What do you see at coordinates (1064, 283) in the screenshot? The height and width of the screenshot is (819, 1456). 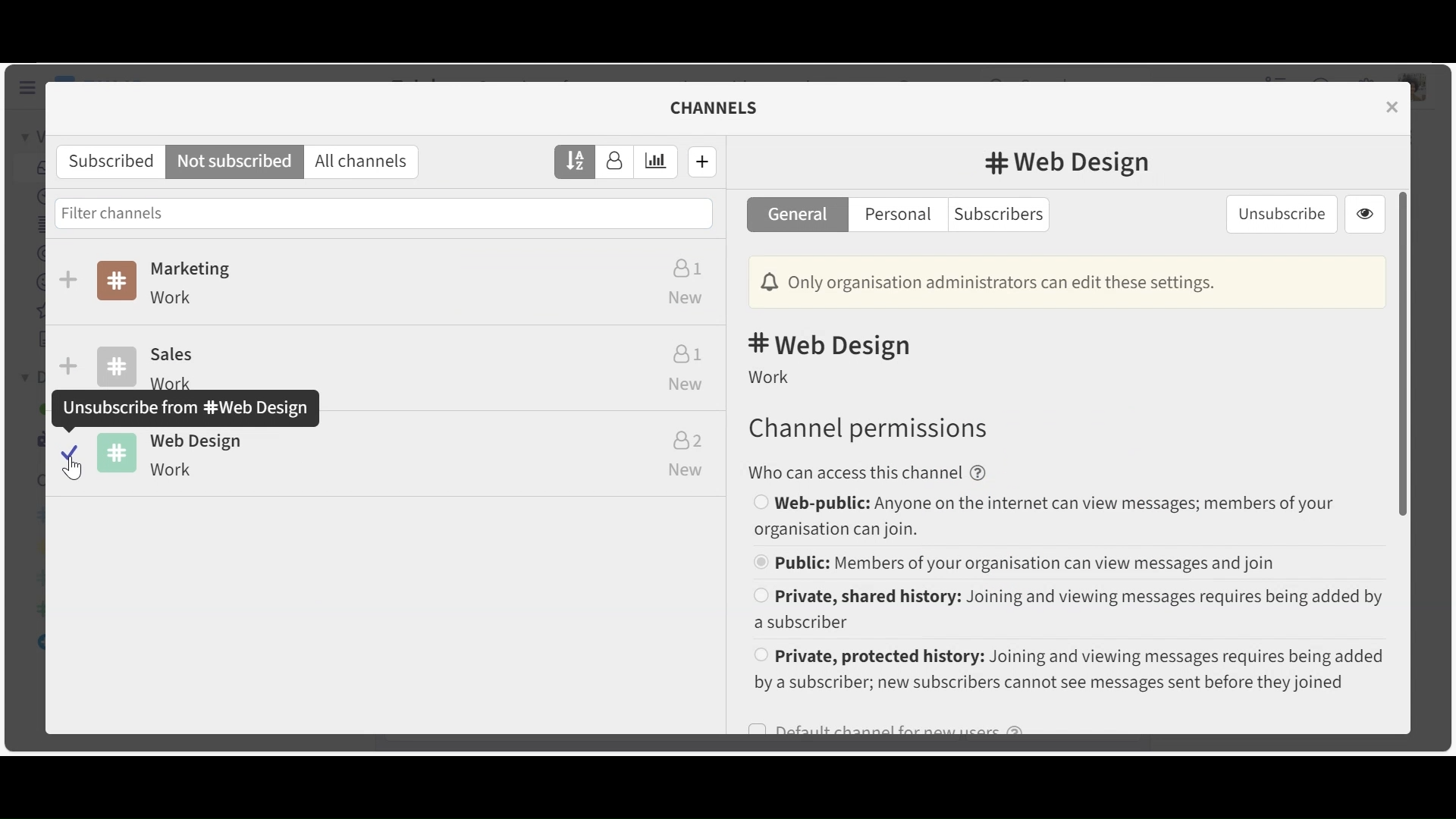 I see `notification` at bounding box center [1064, 283].